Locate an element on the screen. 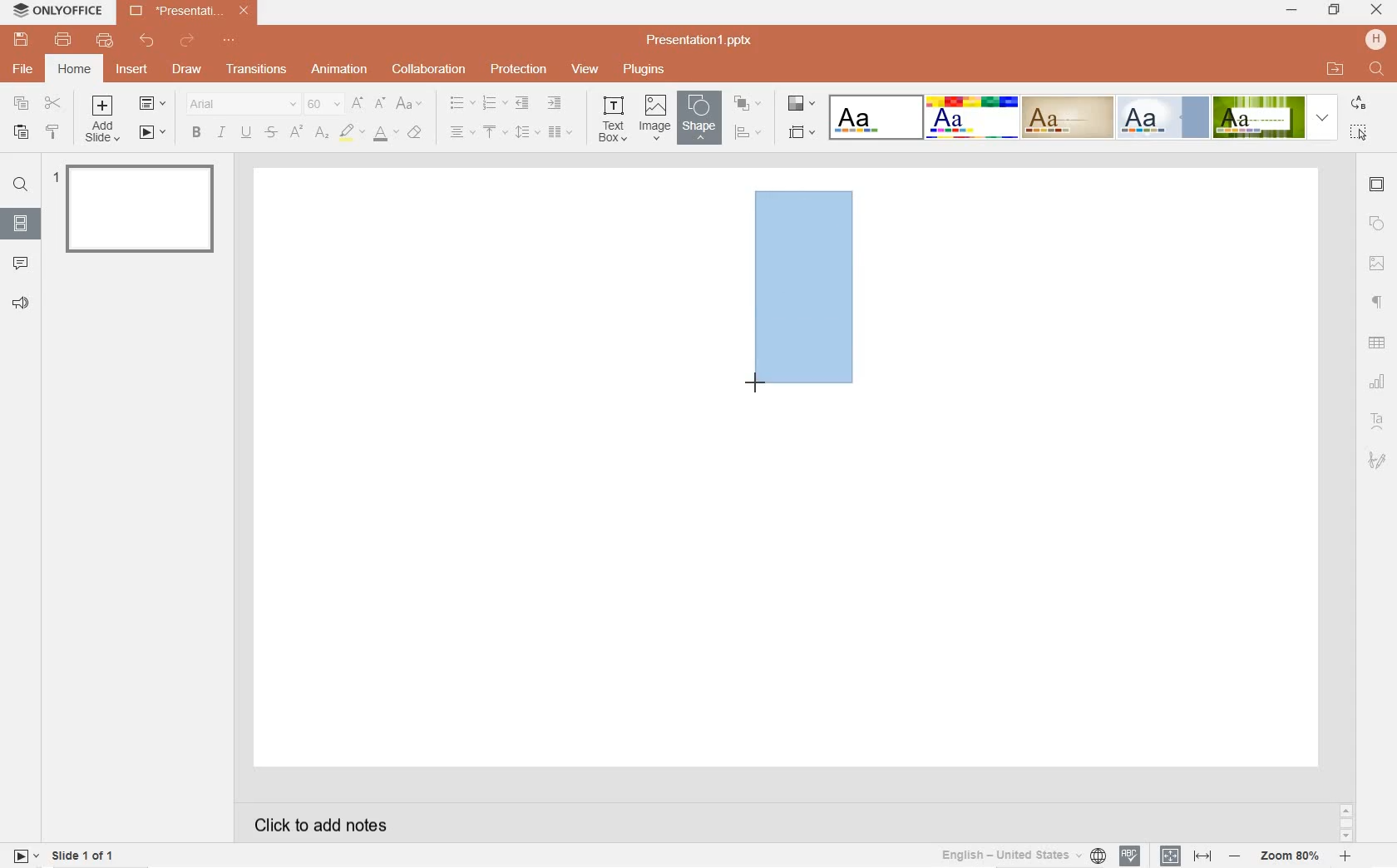  paragraph settings is located at coordinates (1378, 301).